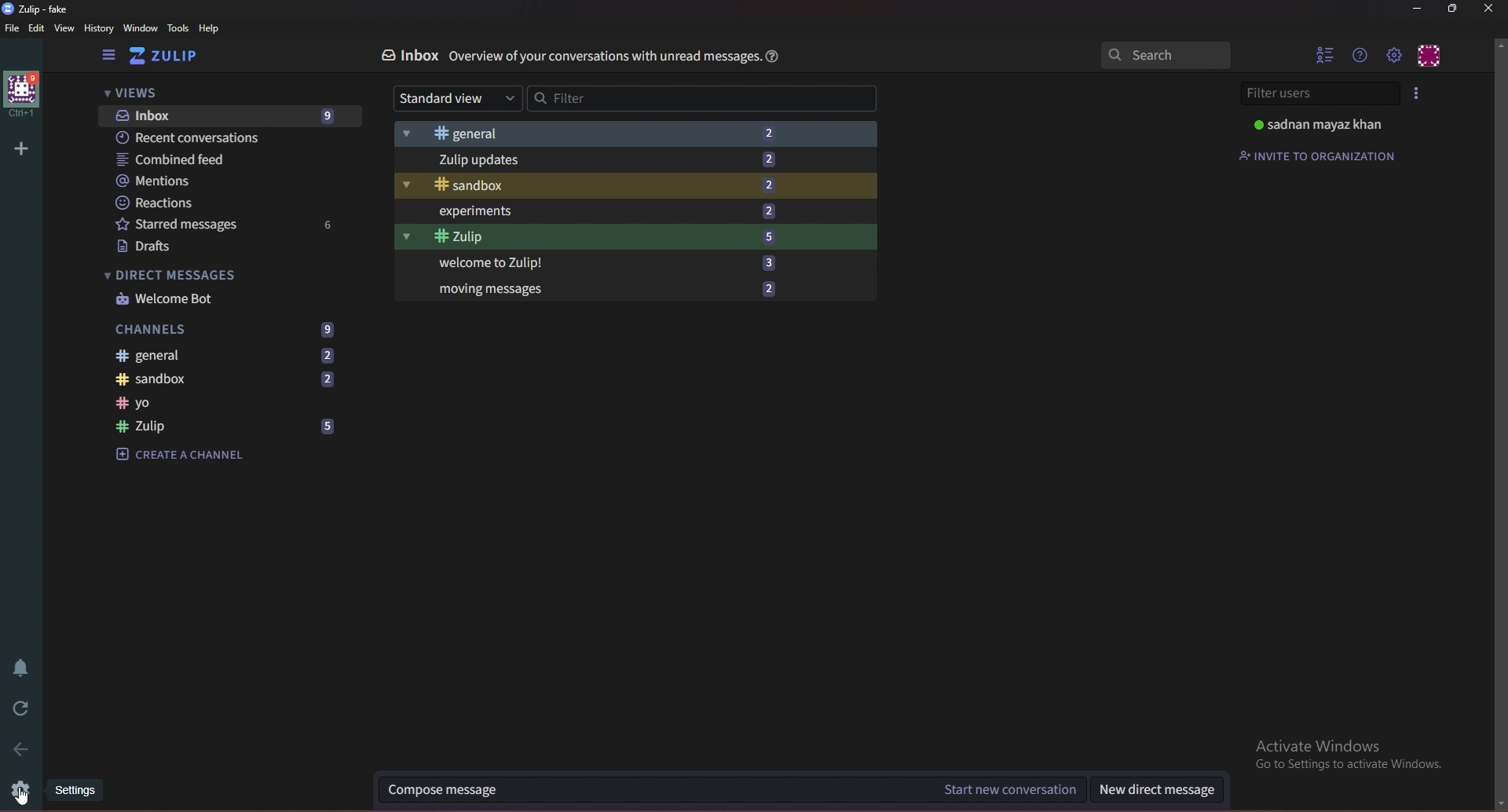 The width and height of the screenshot is (1508, 812). What do you see at coordinates (141, 29) in the screenshot?
I see `Window` at bounding box center [141, 29].